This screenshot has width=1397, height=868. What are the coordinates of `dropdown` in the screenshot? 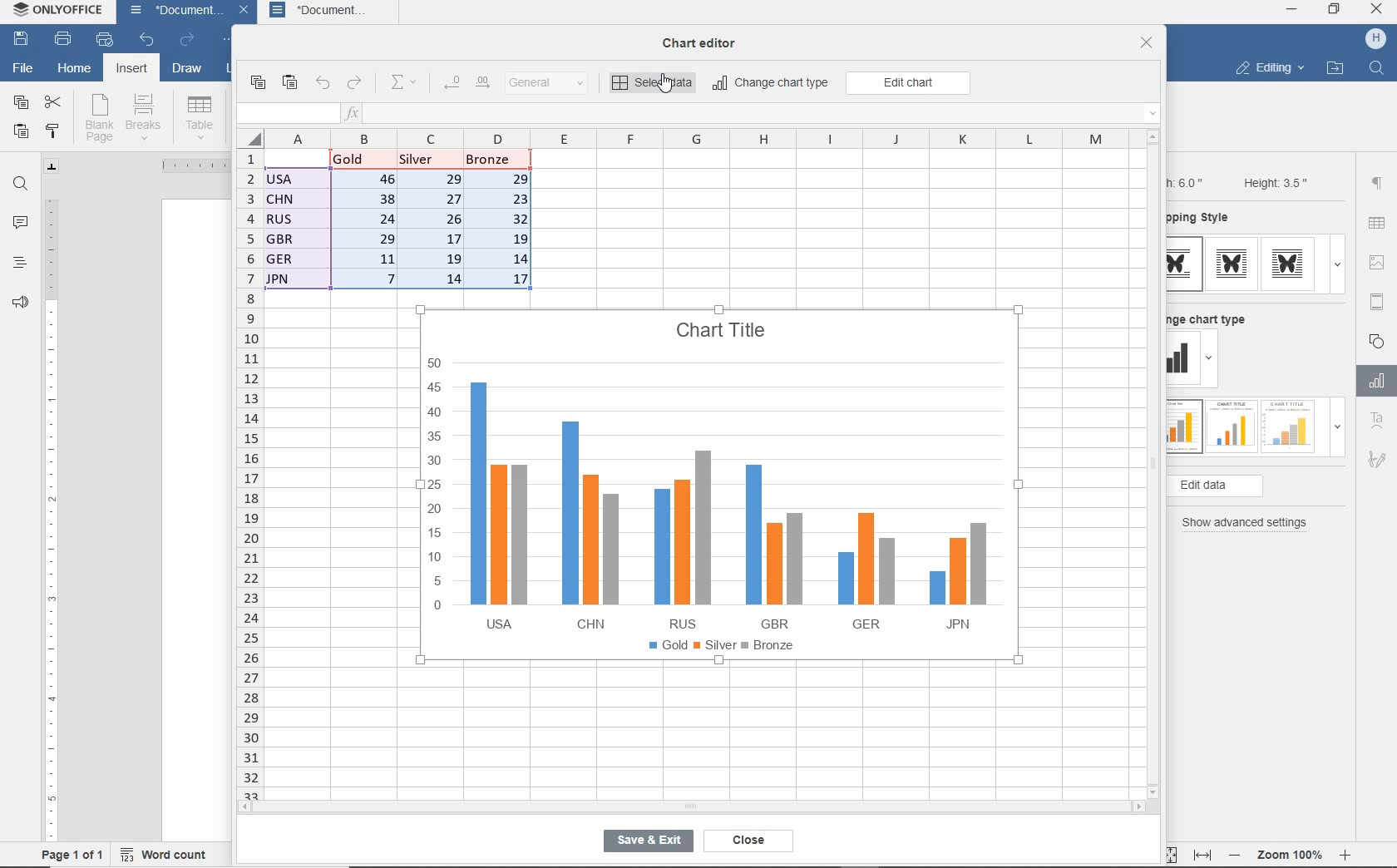 It's located at (1212, 361).